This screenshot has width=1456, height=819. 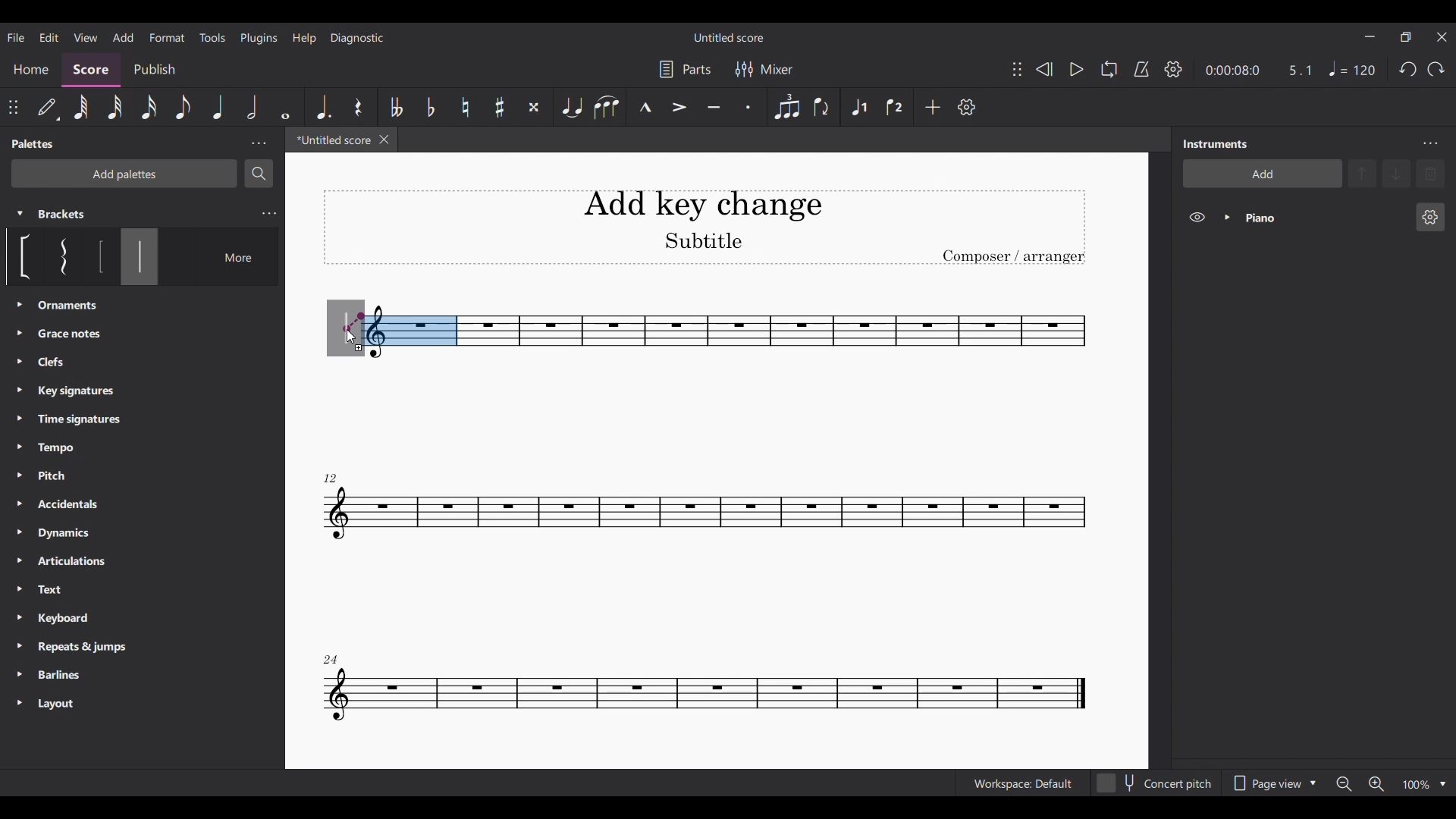 I want to click on Palettes title, so click(x=35, y=143).